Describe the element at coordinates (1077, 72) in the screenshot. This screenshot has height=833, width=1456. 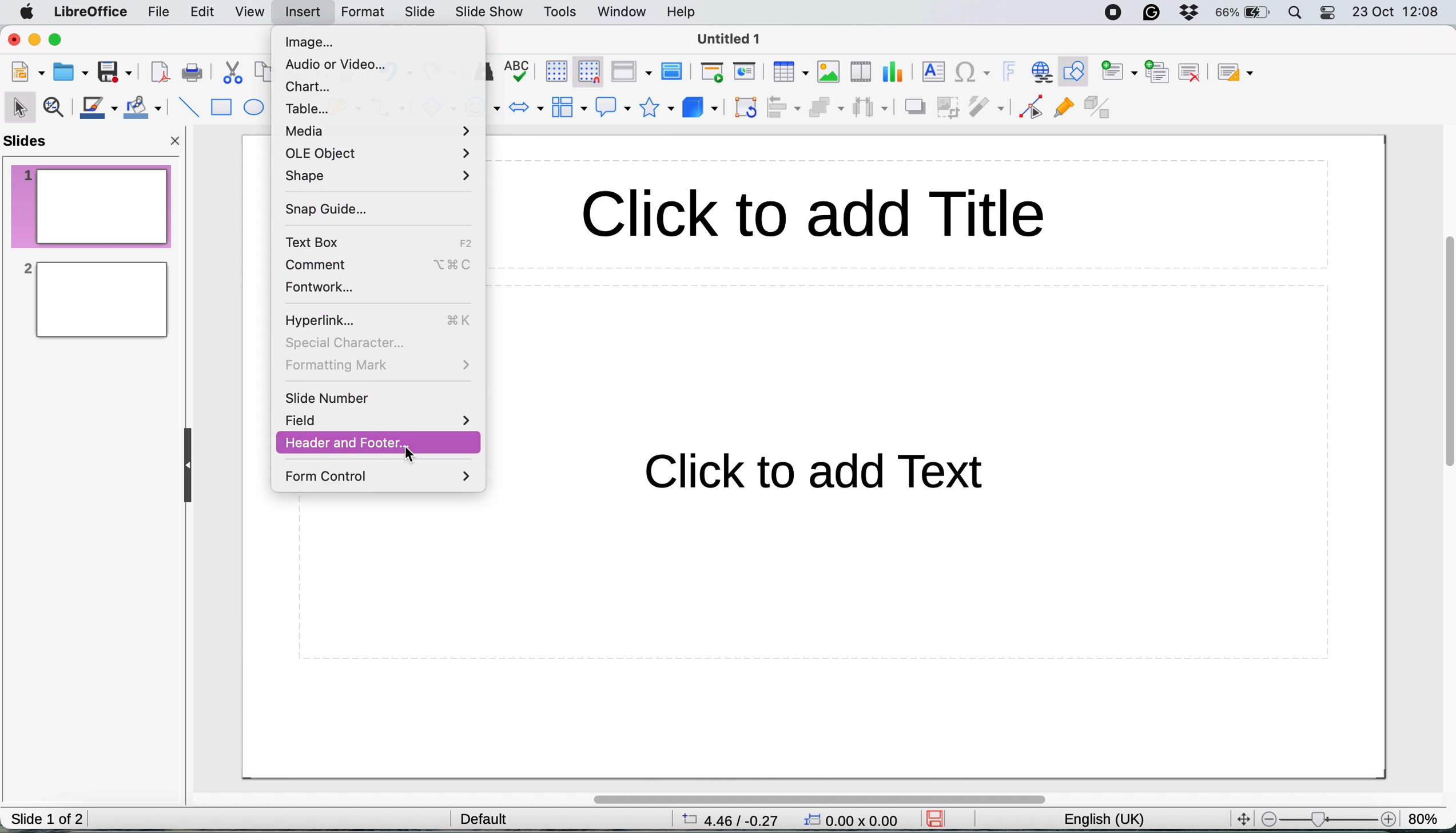
I see `show draw functions` at that location.